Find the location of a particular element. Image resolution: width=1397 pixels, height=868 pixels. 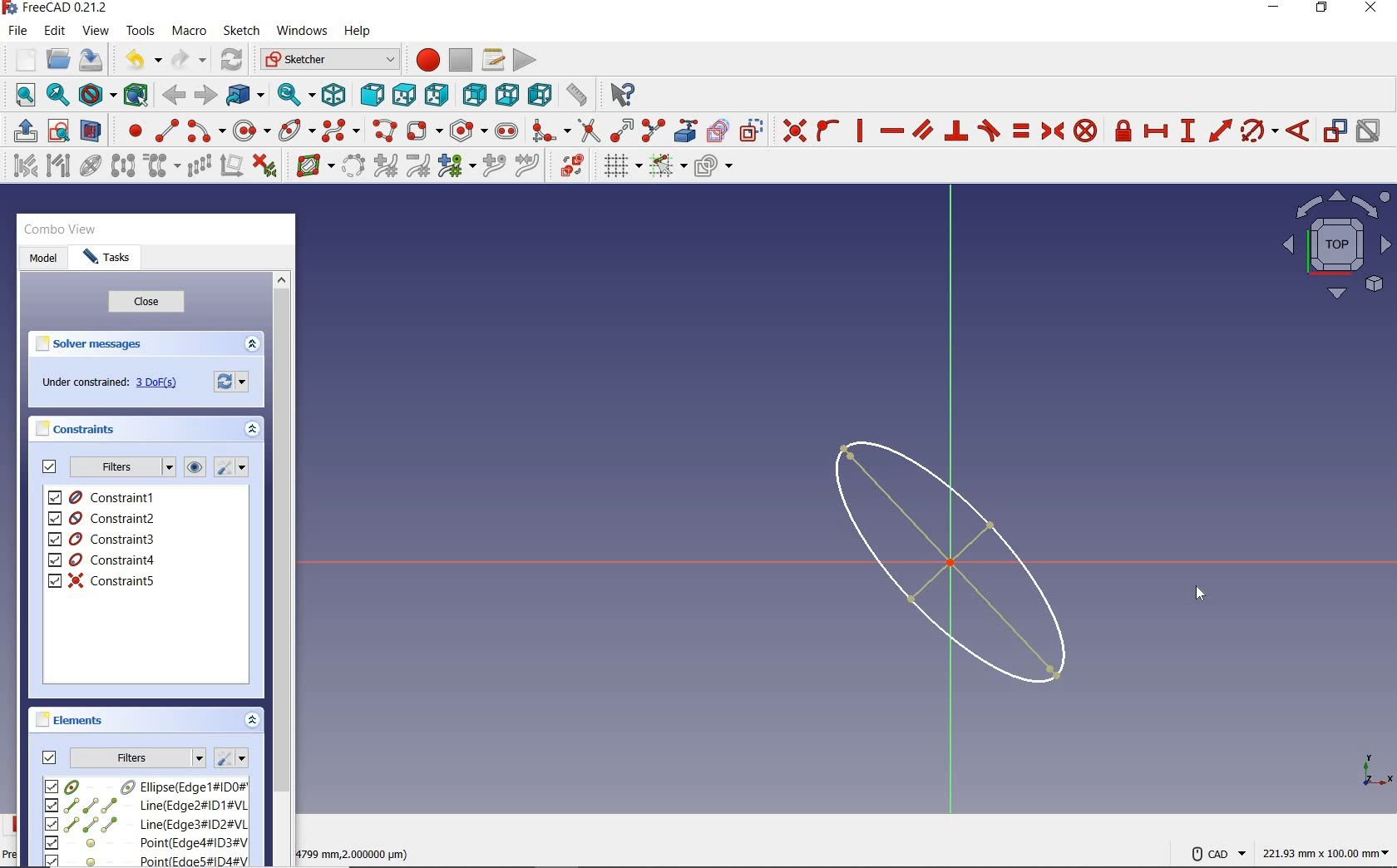

activate/deactivate constraint is located at coordinates (1369, 131).